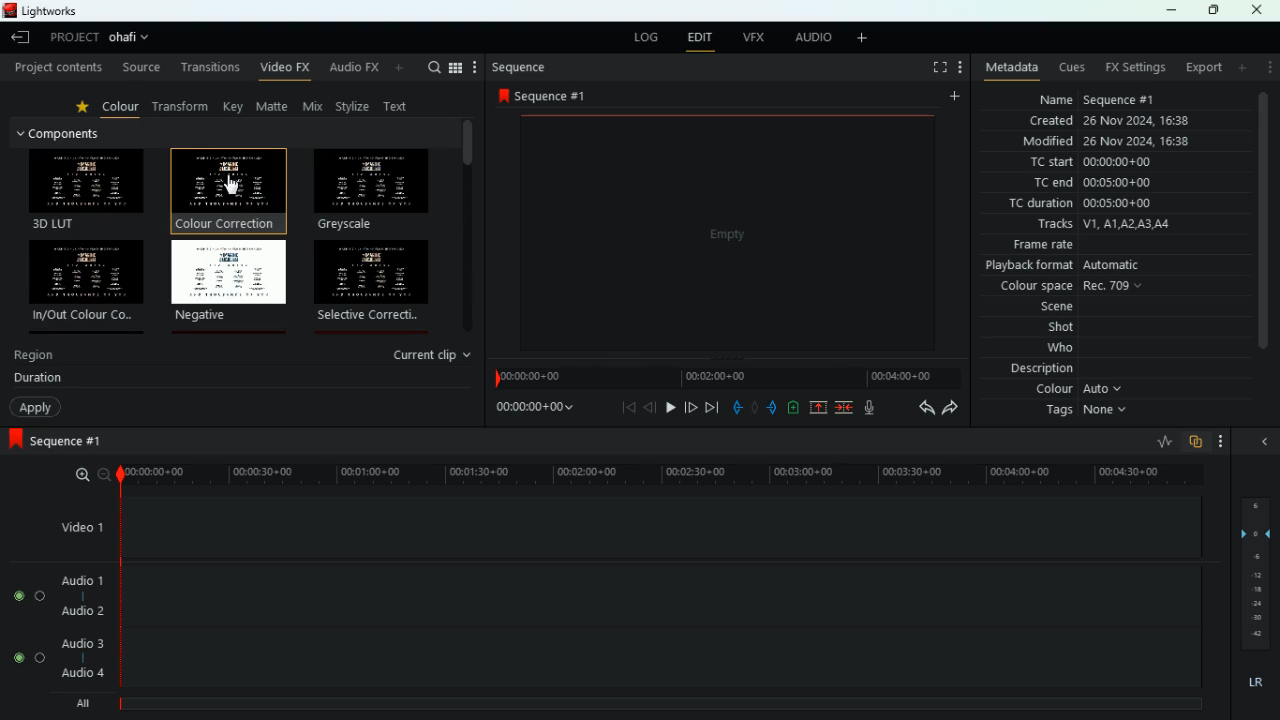  I want to click on frame rate, so click(1110, 245).